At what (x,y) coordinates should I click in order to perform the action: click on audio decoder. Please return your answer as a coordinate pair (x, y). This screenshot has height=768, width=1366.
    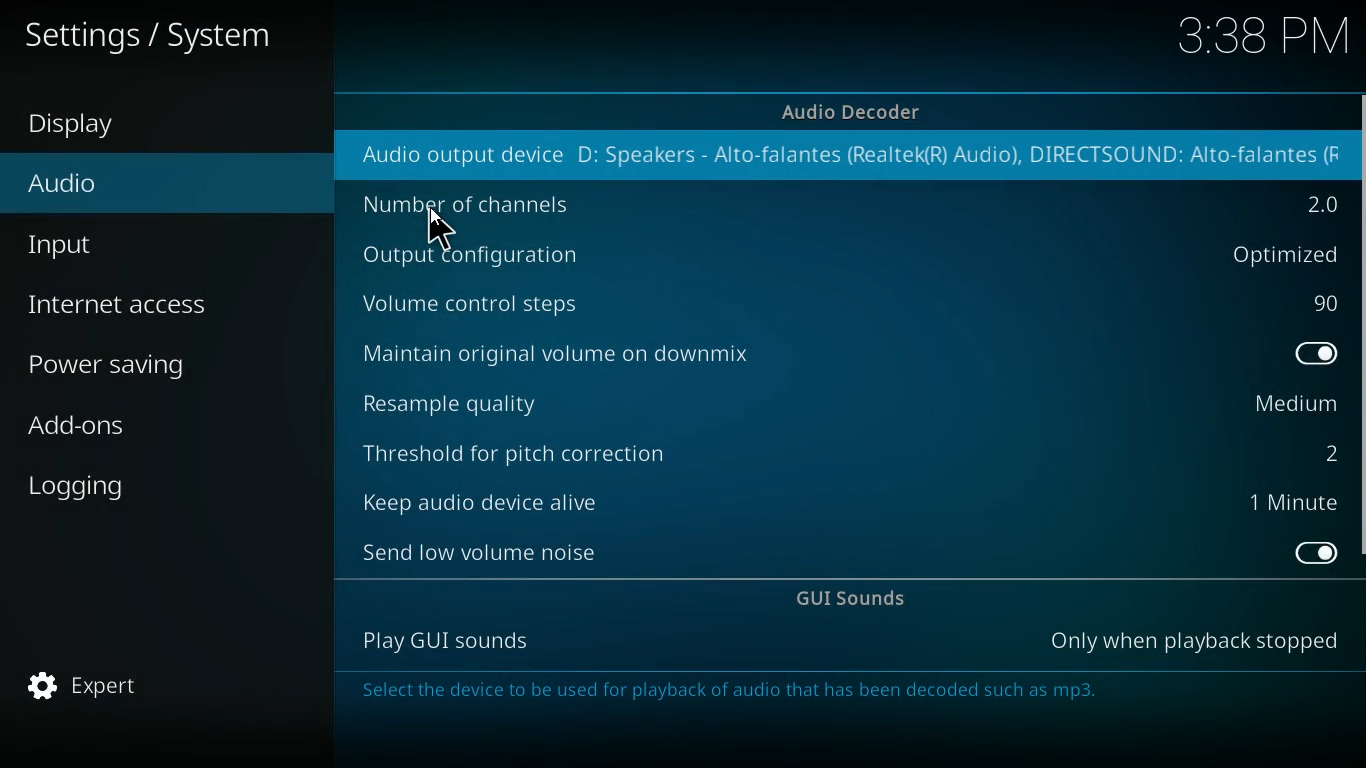
    Looking at the image, I should click on (855, 111).